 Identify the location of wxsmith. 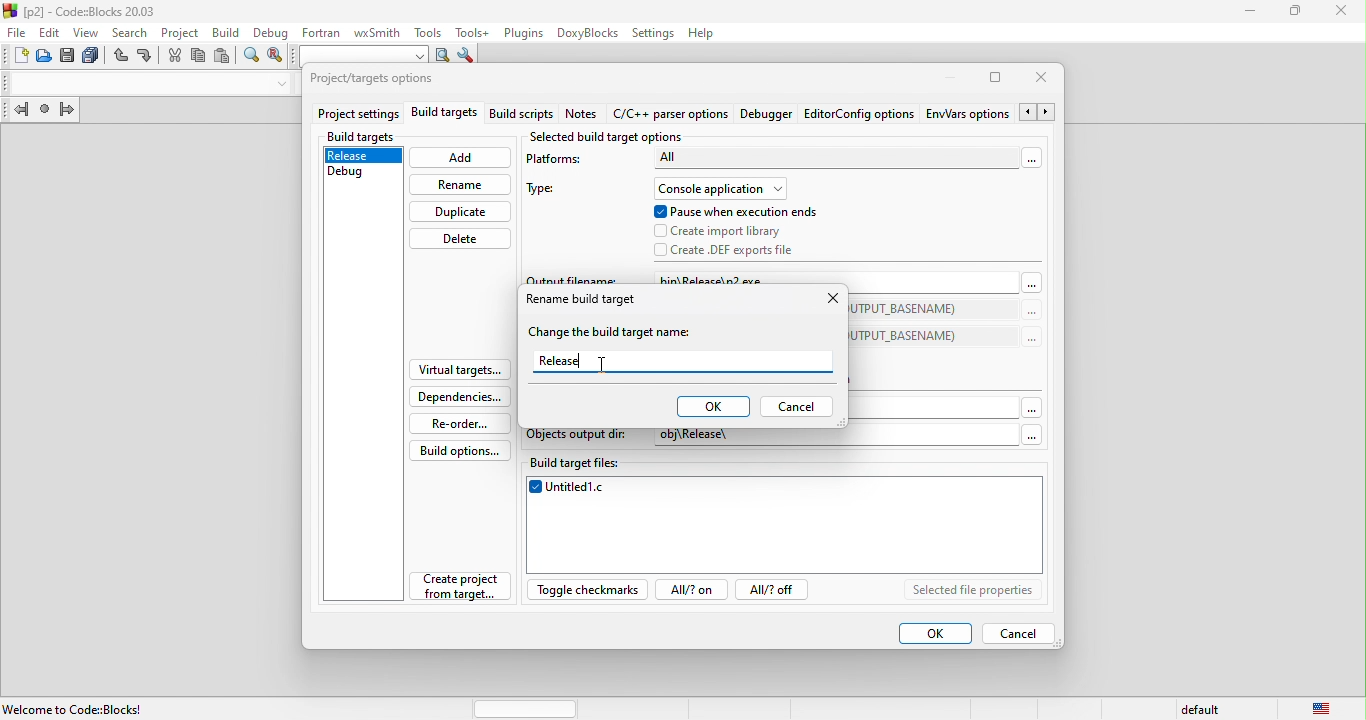
(375, 31).